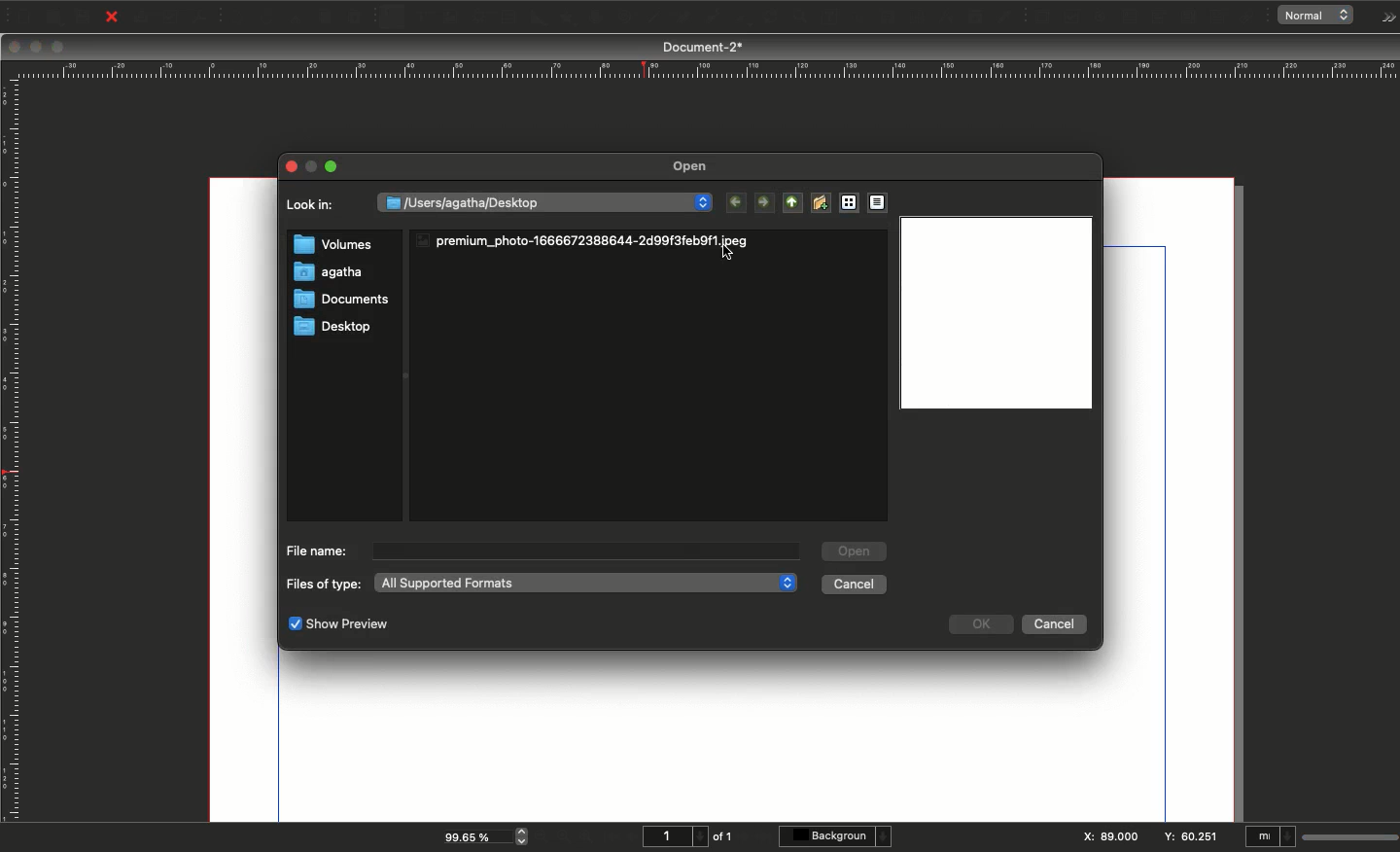  What do you see at coordinates (788, 202) in the screenshot?
I see `Main folder` at bounding box center [788, 202].